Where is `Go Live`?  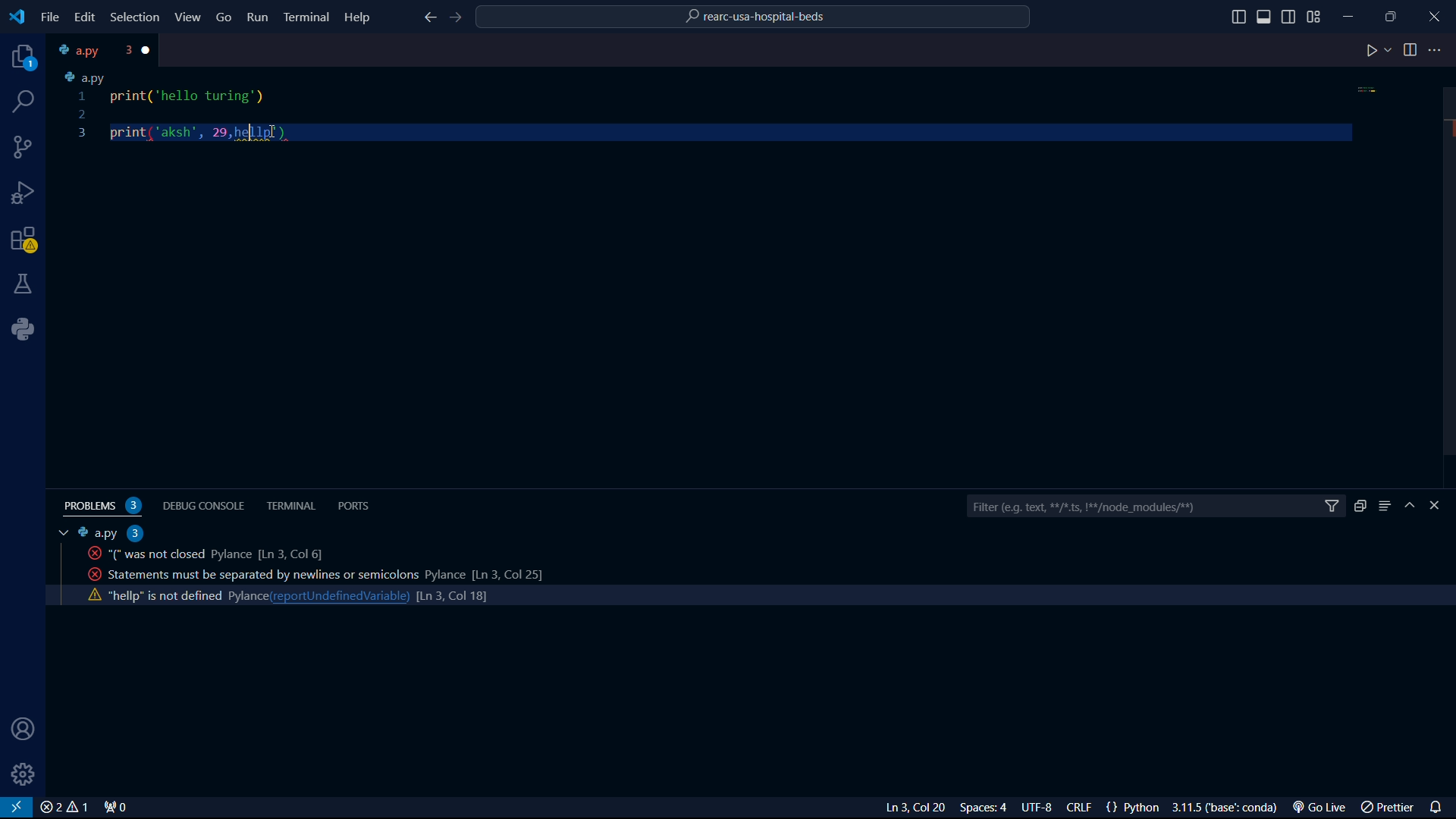 Go Live is located at coordinates (1323, 808).